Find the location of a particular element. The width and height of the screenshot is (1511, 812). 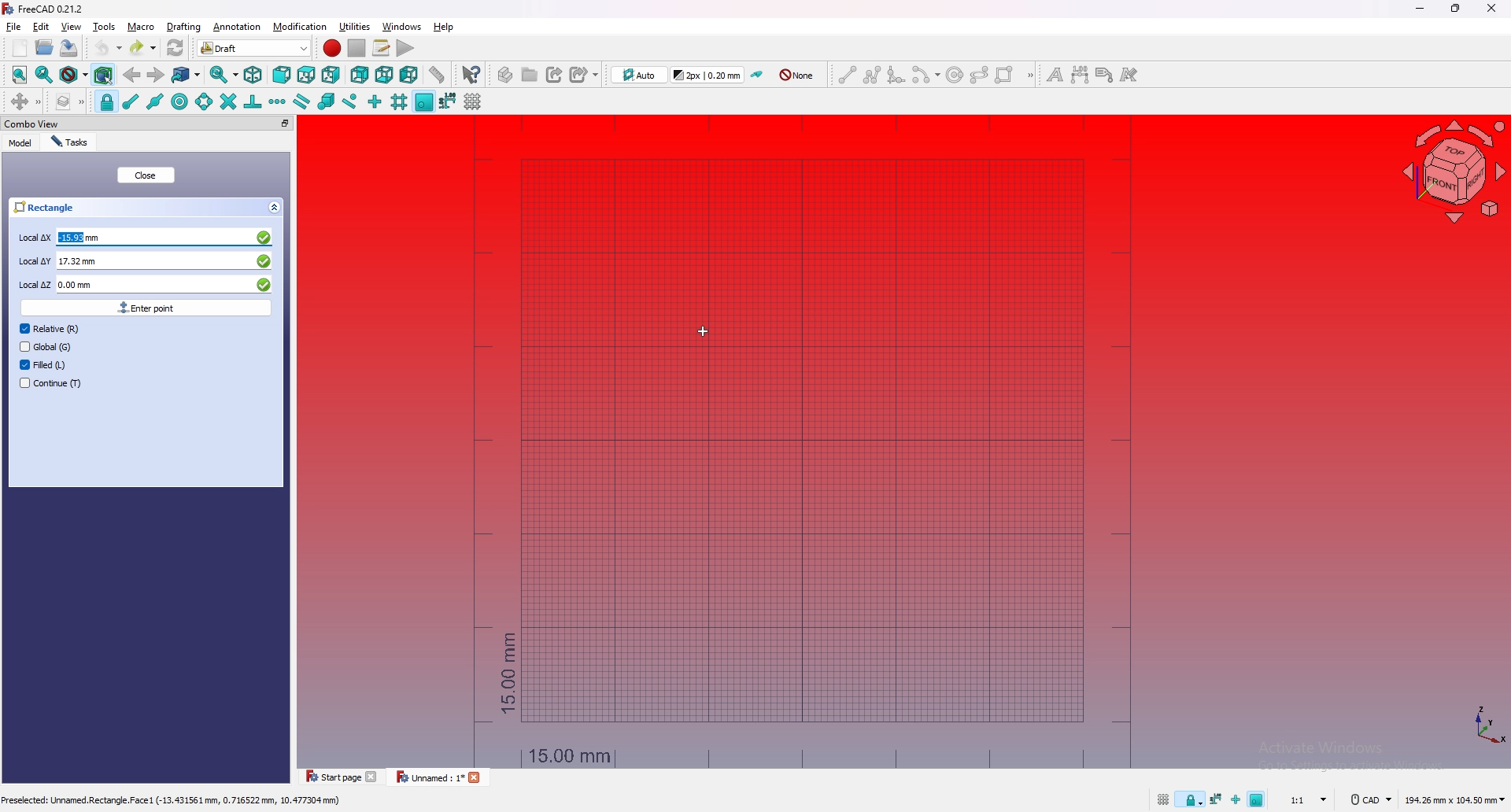

snap lock is located at coordinates (1191, 800).